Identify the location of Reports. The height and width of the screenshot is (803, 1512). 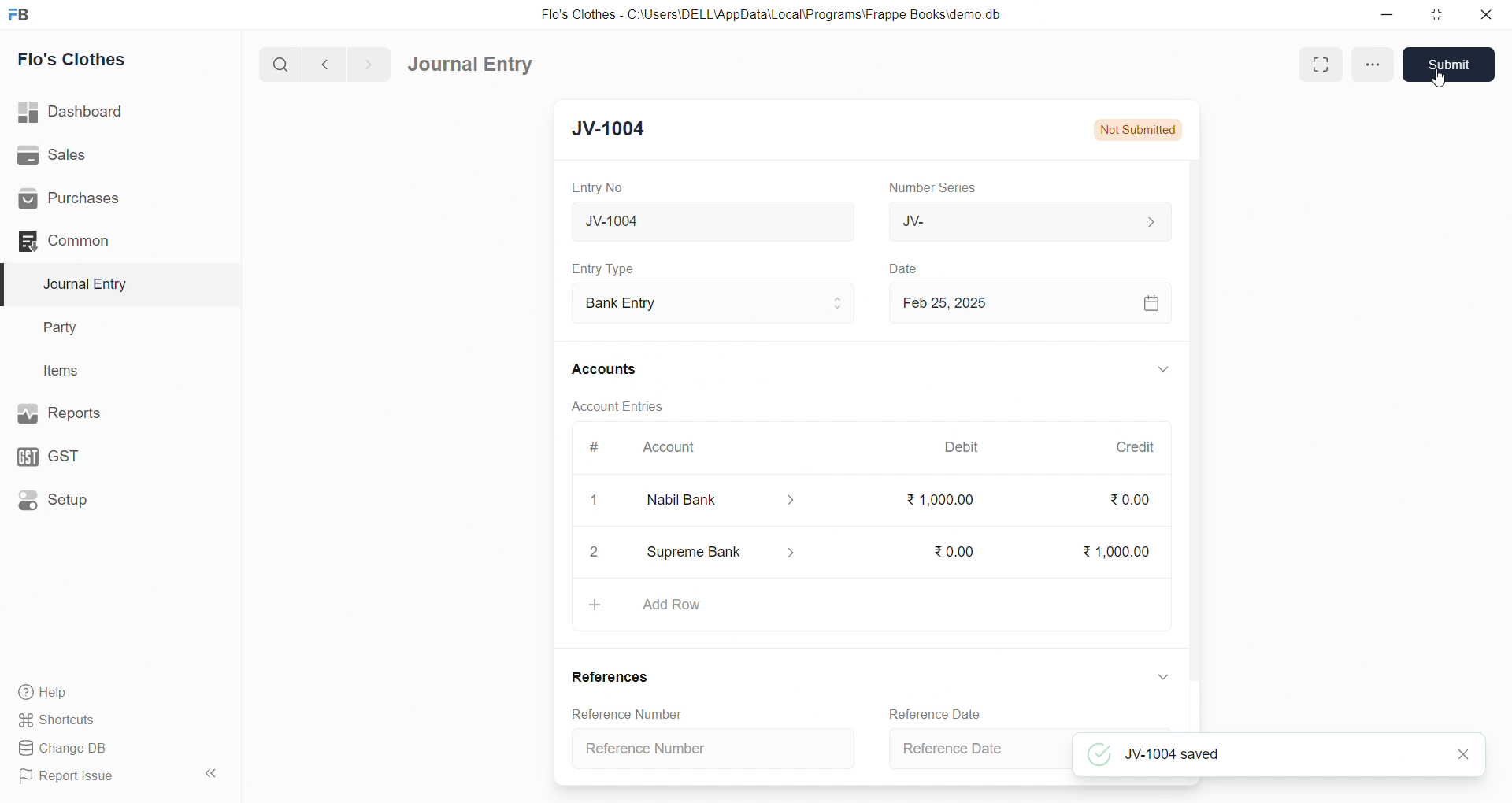
(110, 412).